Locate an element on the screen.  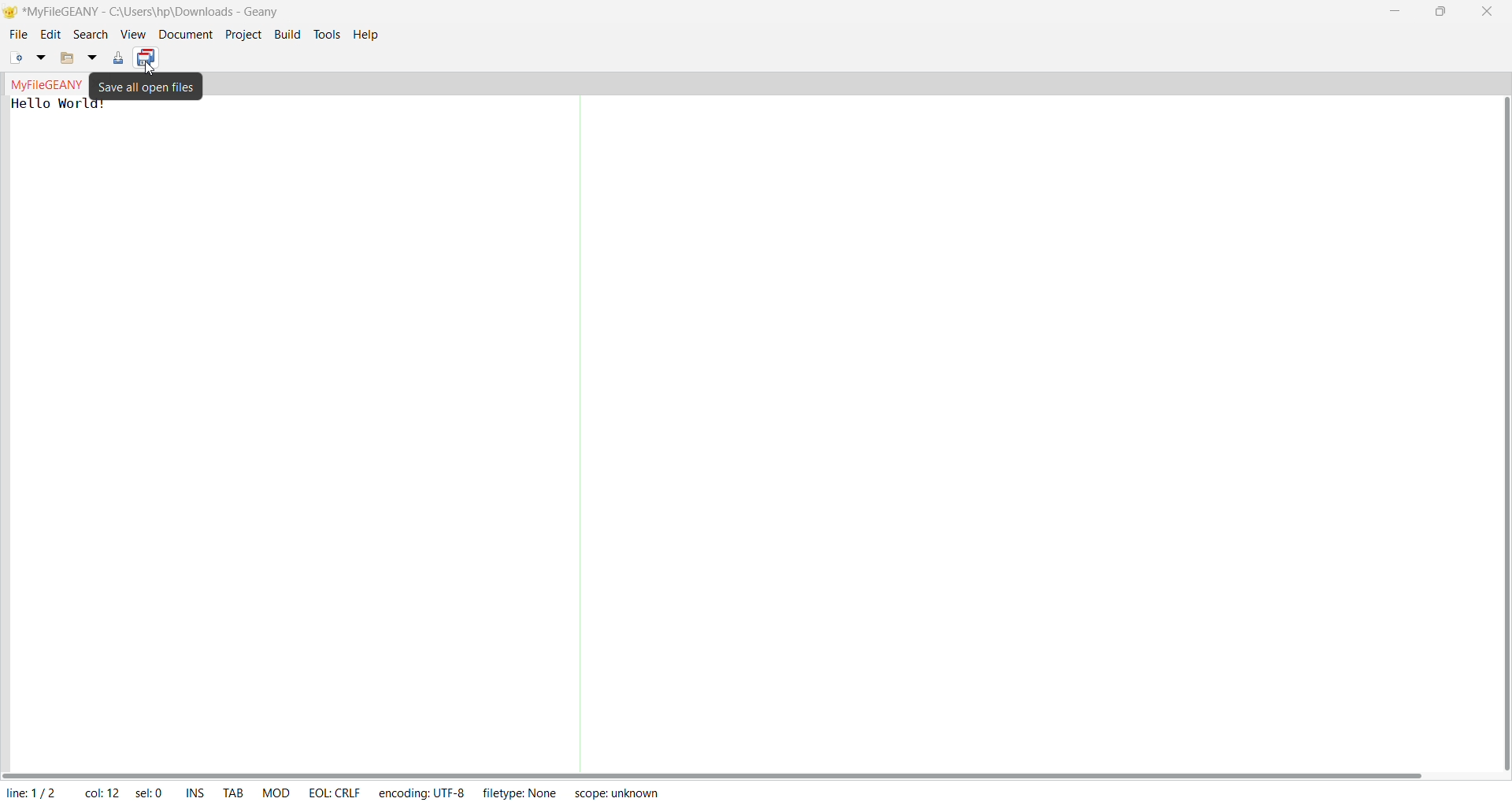
Document is located at coordinates (184, 35).